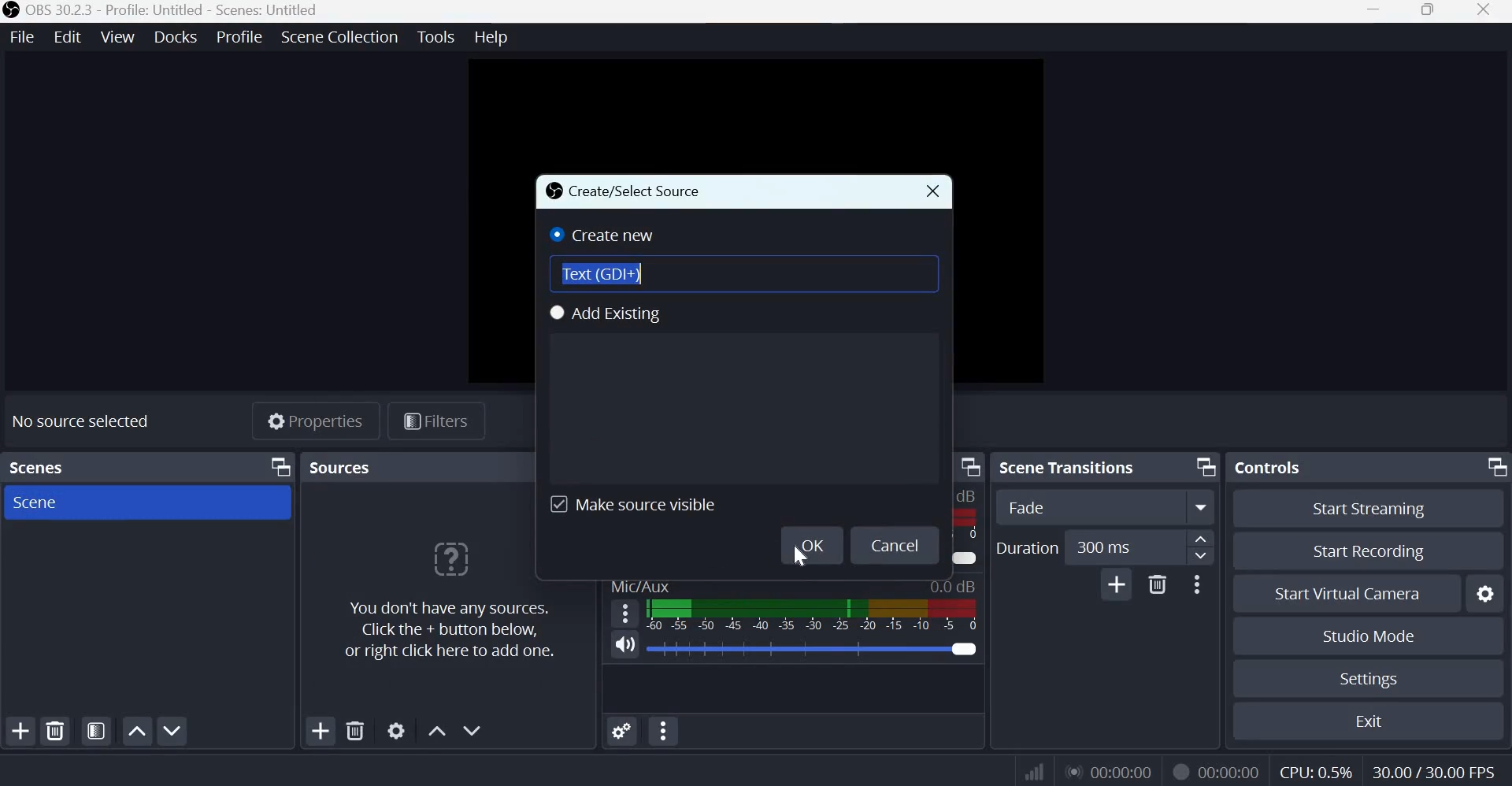 The width and height of the screenshot is (1512, 786). Describe the element at coordinates (1118, 547) in the screenshot. I see `300 ms` at that location.